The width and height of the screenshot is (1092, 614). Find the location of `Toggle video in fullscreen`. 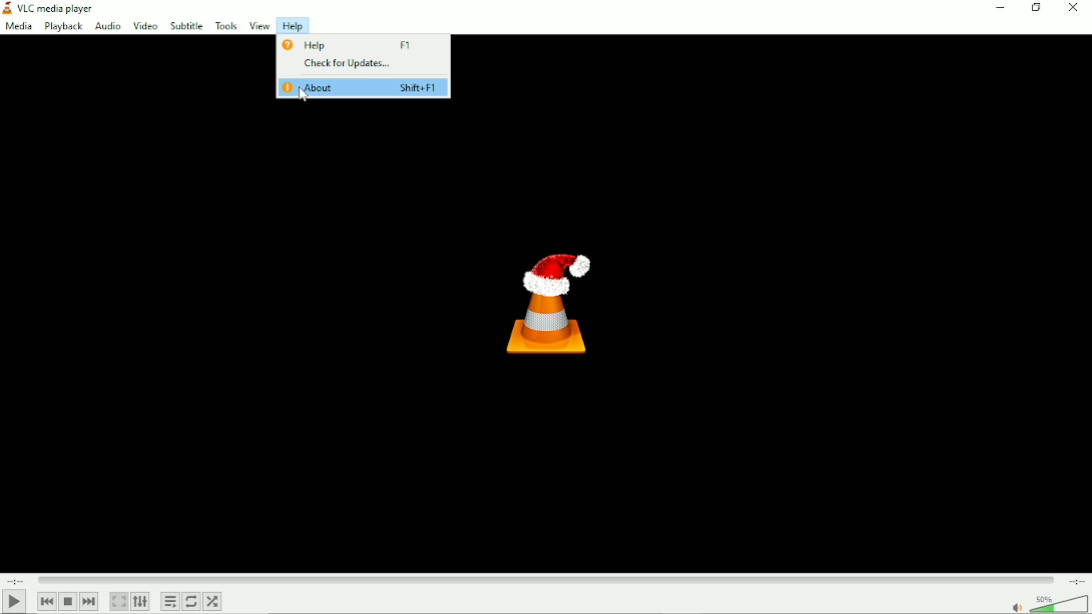

Toggle video in fullscreen is located at coordinates (119, 601).